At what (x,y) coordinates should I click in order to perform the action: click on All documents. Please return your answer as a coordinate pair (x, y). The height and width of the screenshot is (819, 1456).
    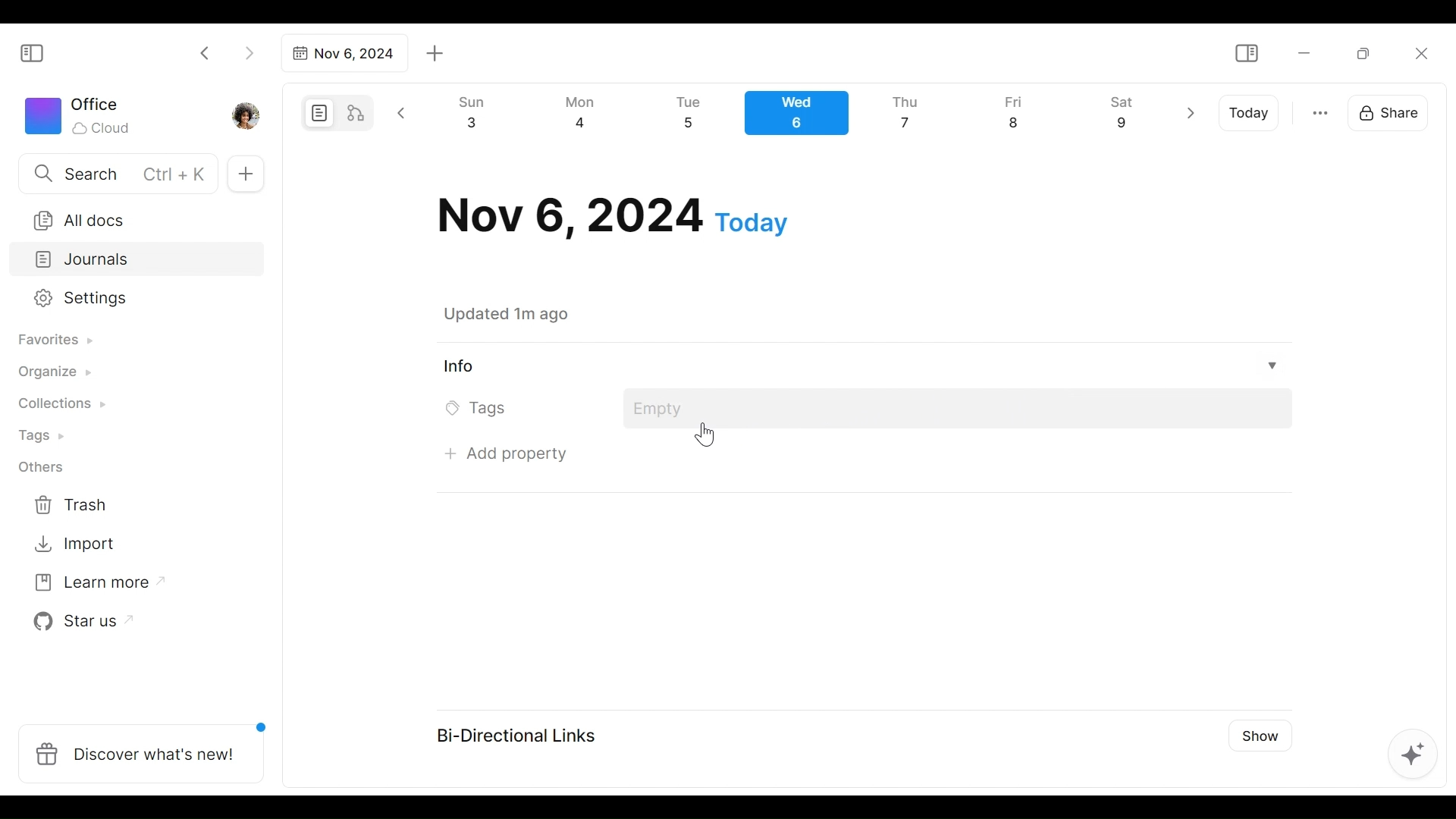
    Looking at the image, I should click on (131, 218).